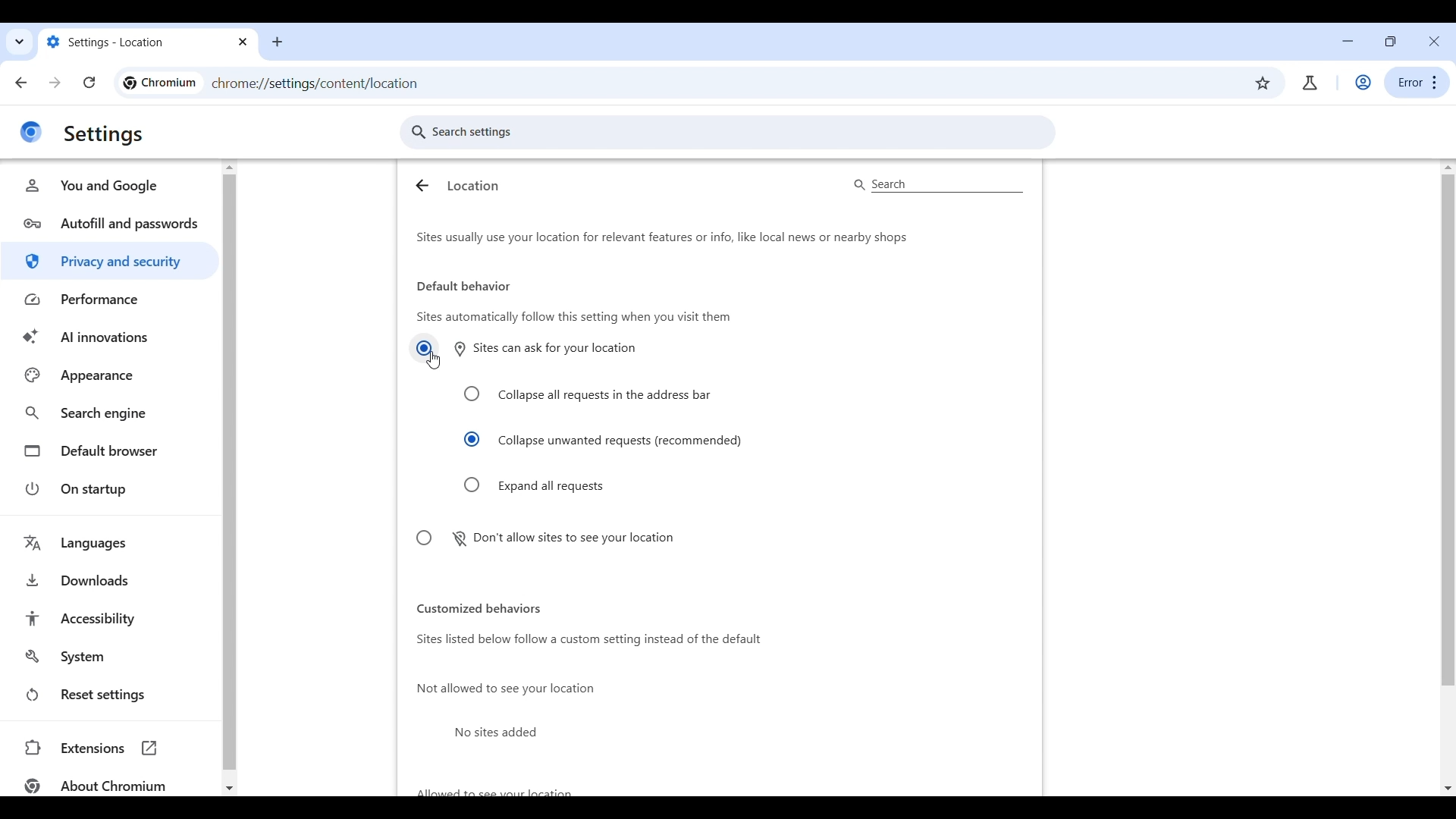  Describe the element at coordinates (423, 187) in the screenshot. I see `Go back to Site Settings` at that location.